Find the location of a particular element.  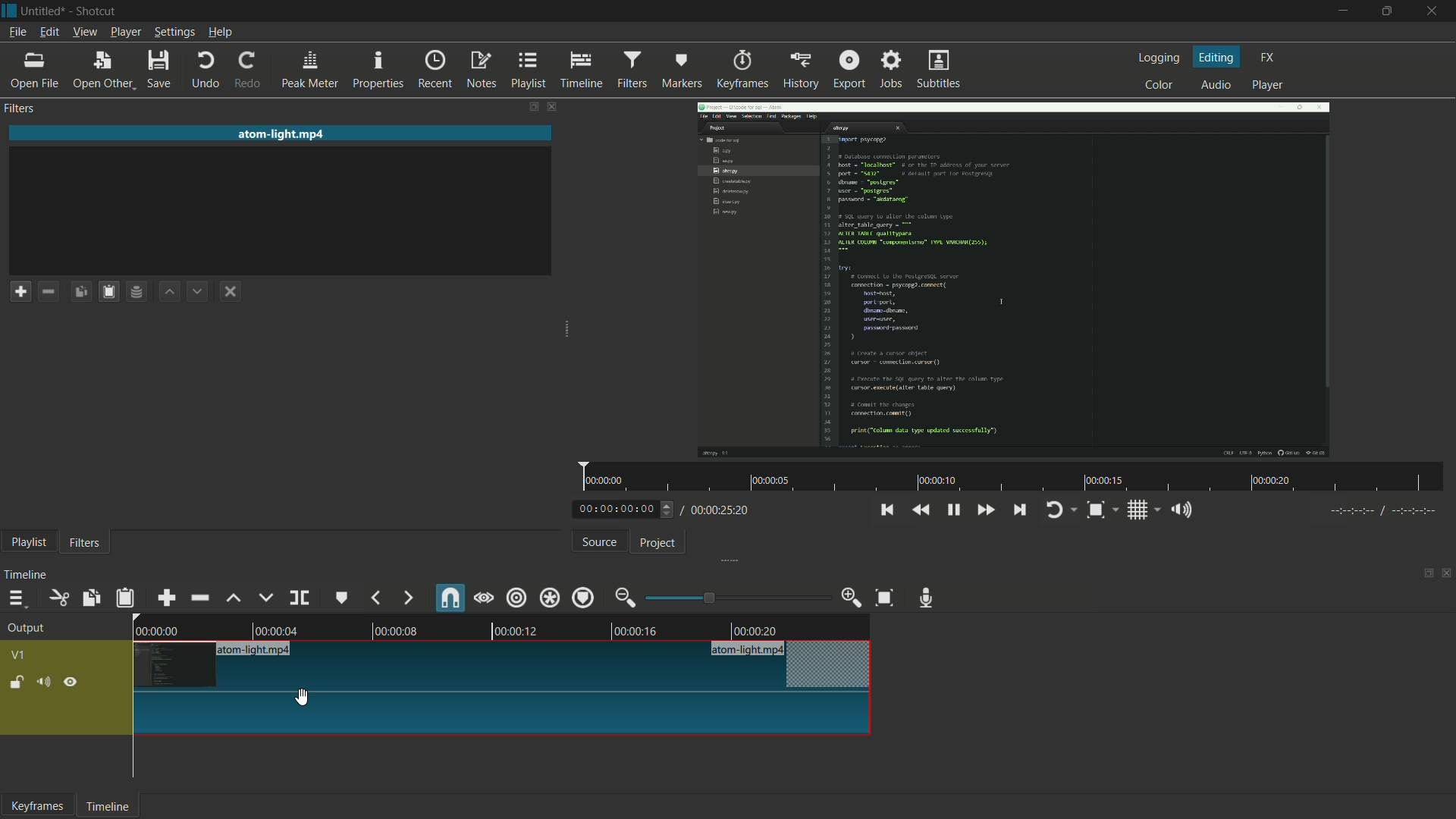

close timeline pane is located at coordinates (1447, 574).